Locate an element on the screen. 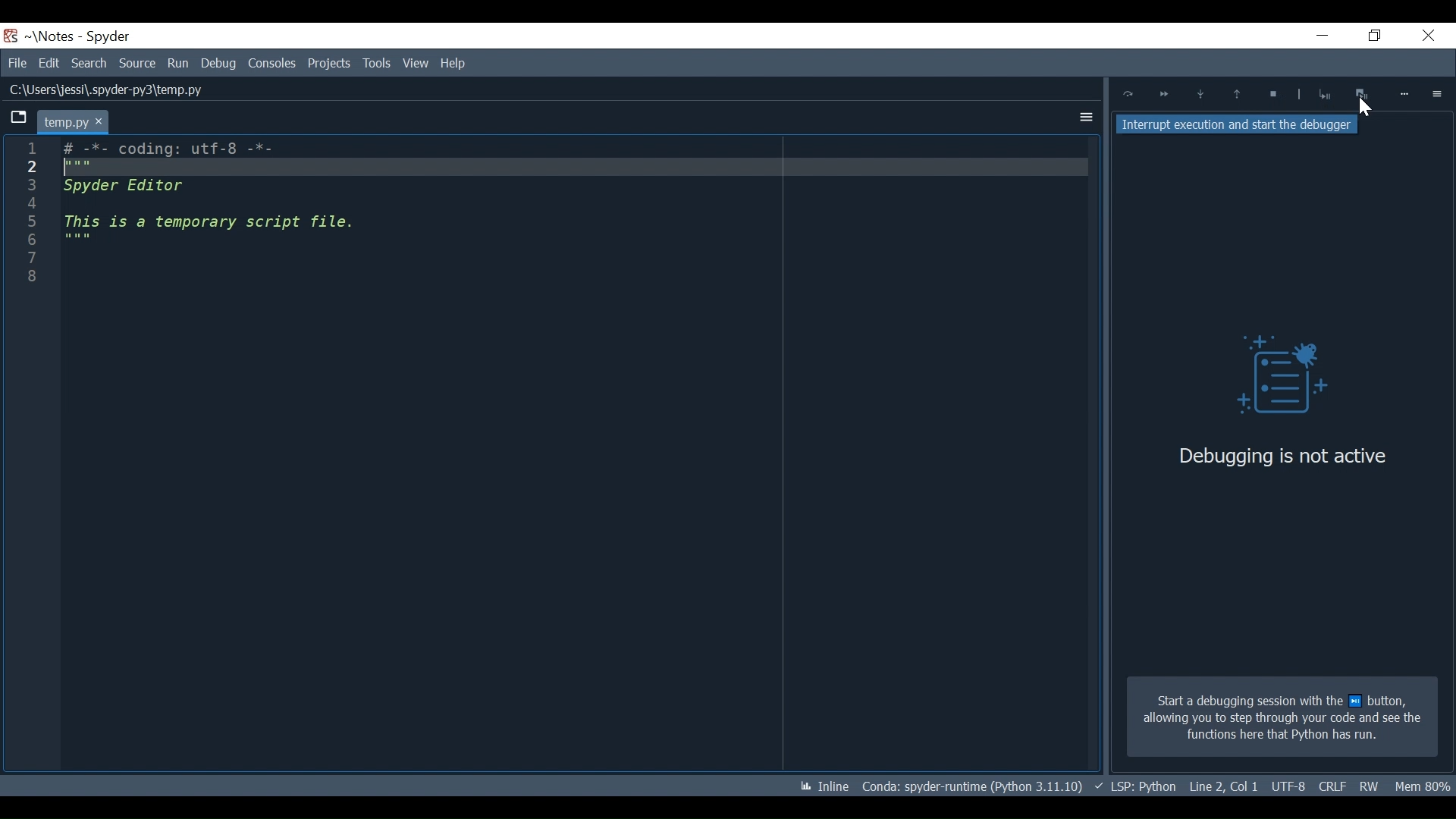 Image resolution: width=1456 pixels, height=819 pixels. Search is located at coordinates (91, 63).